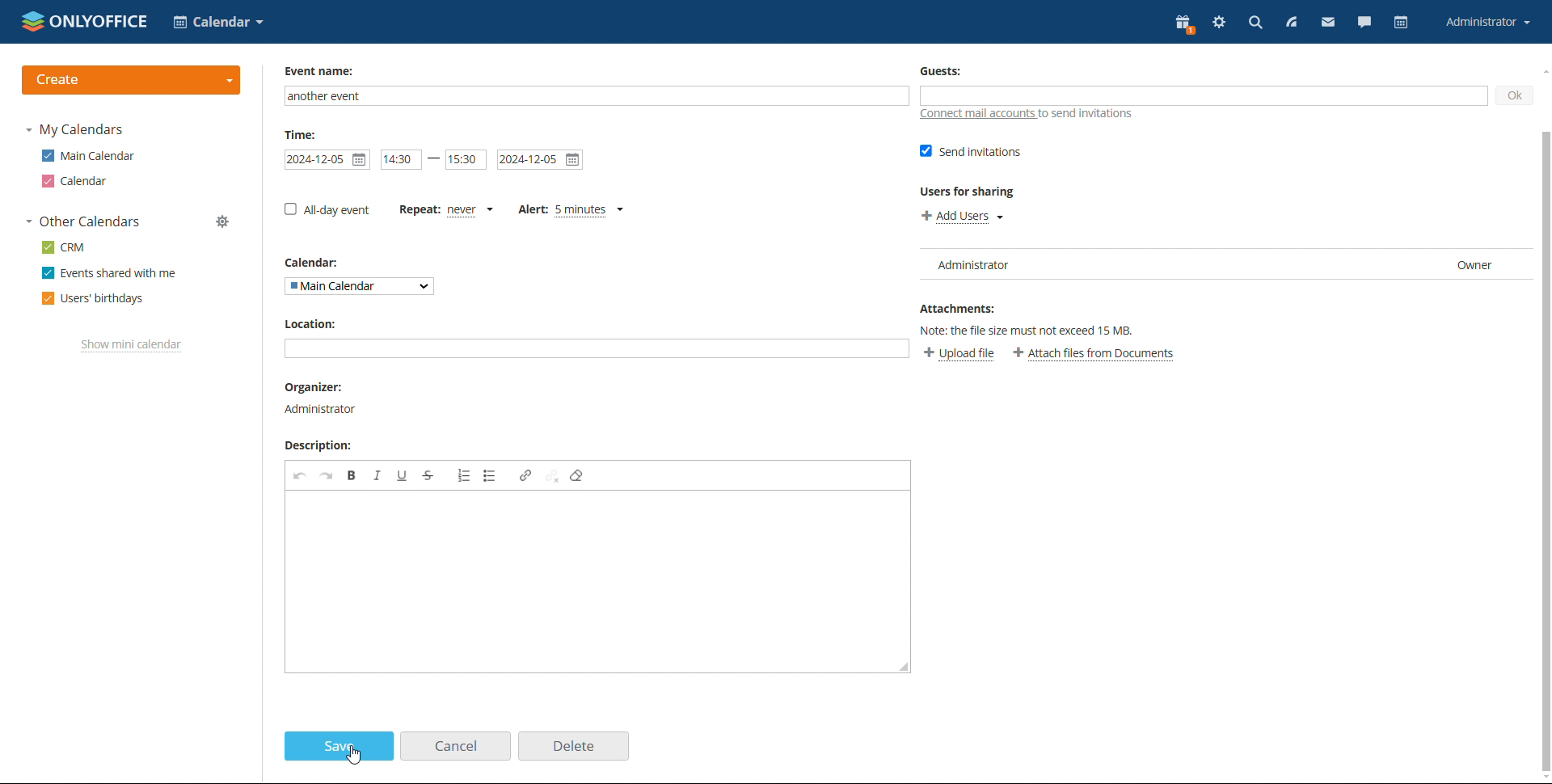 The height and width of the screenshot is (784, 1552). What do you see at coordinates (599, 97) in the screenshot?
I see `add event name` at bounding box center [599, 97].